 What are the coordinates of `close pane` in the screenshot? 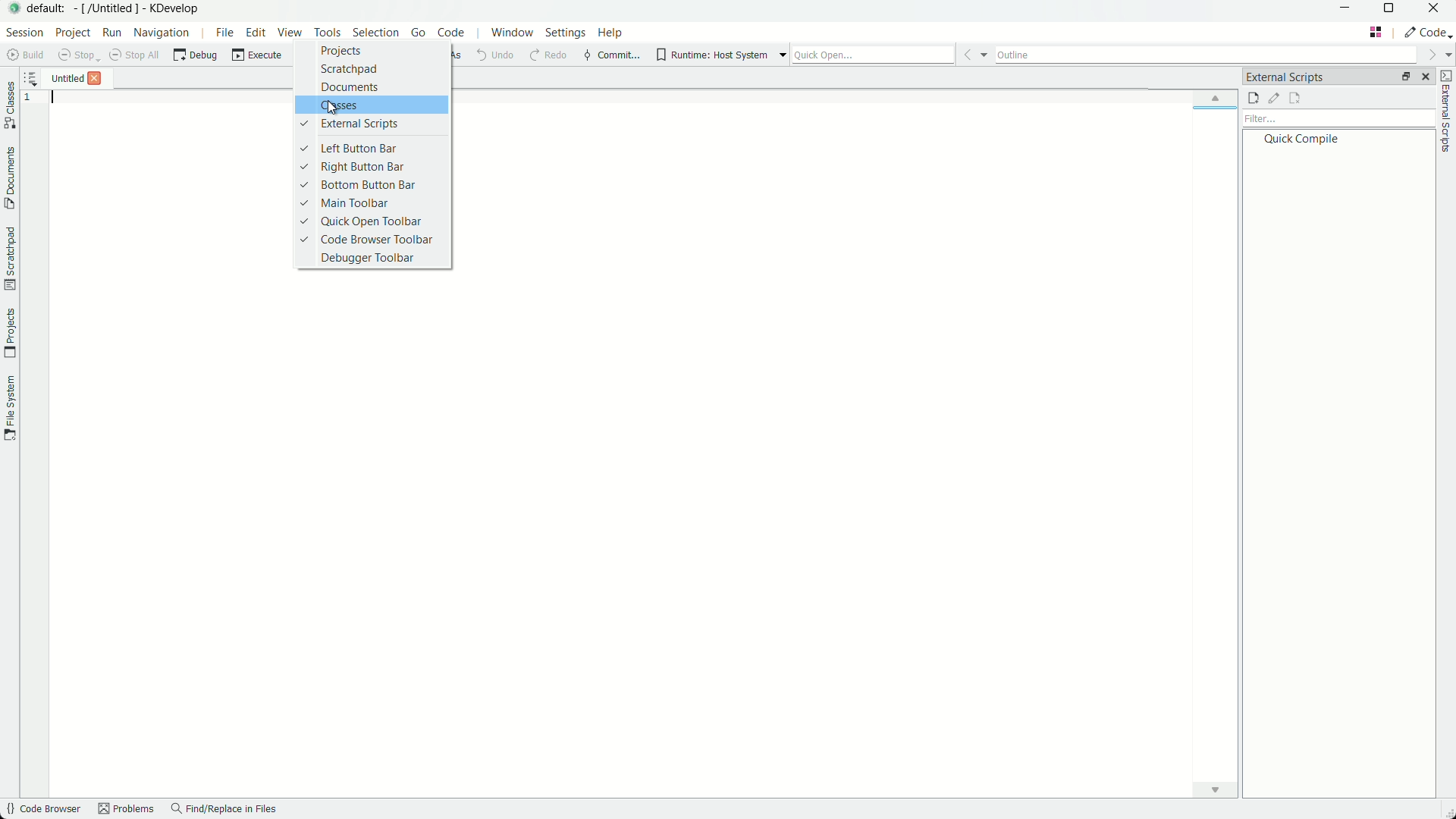 It's located at (1426, 77).